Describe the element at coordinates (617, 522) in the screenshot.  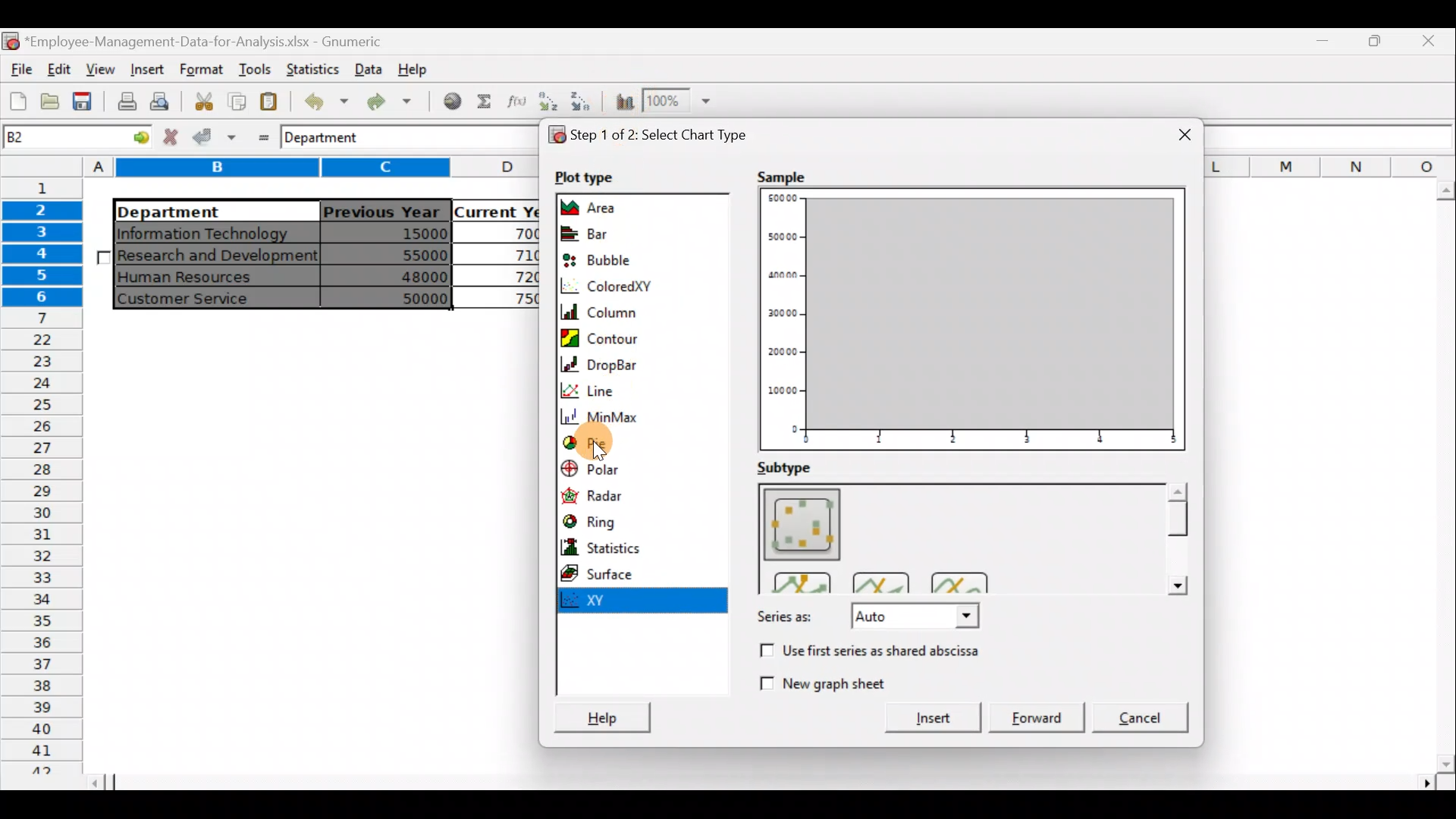
I see `Ring` at that location.